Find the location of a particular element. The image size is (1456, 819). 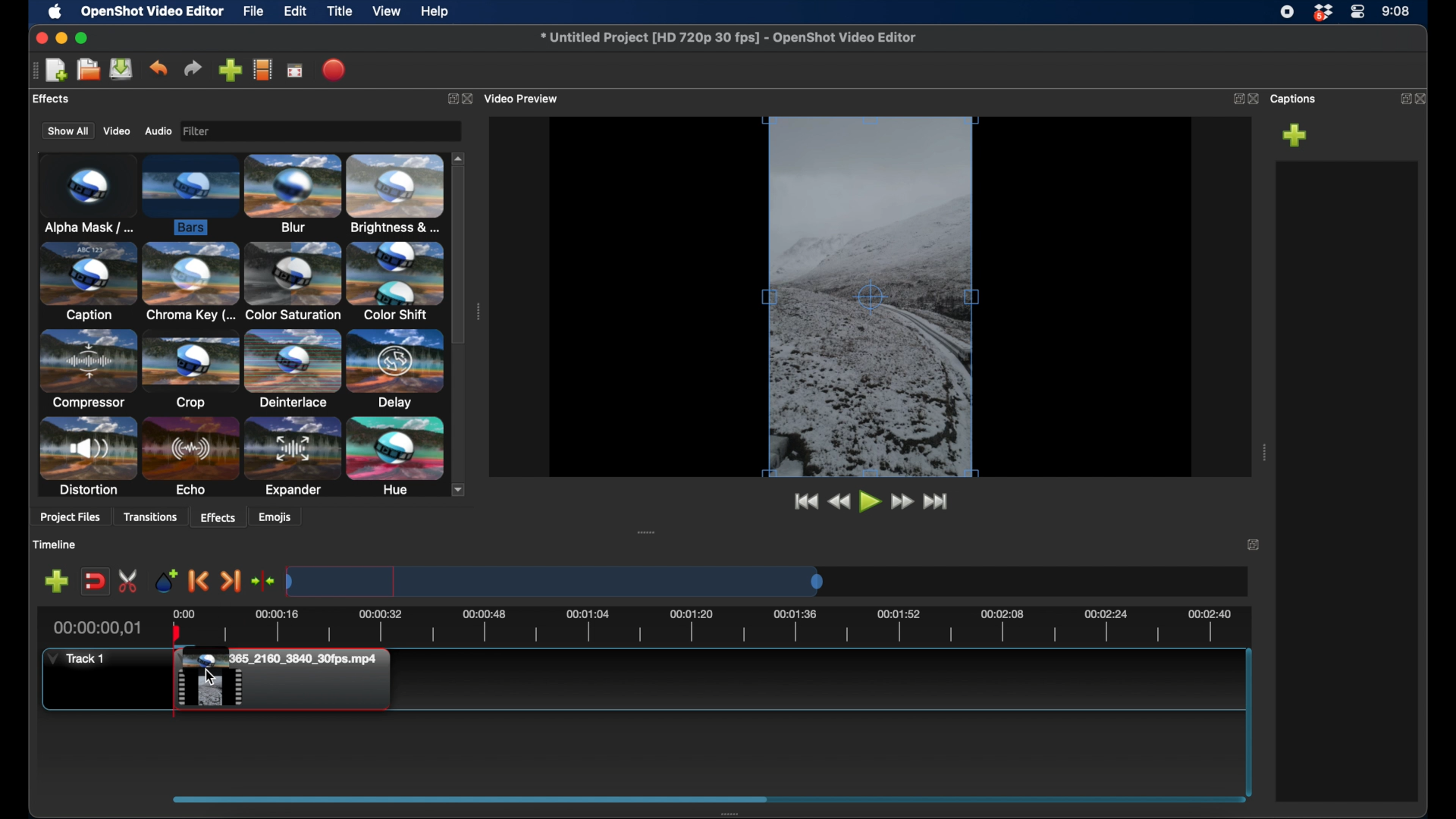

close is located at coordinates (471, 98).